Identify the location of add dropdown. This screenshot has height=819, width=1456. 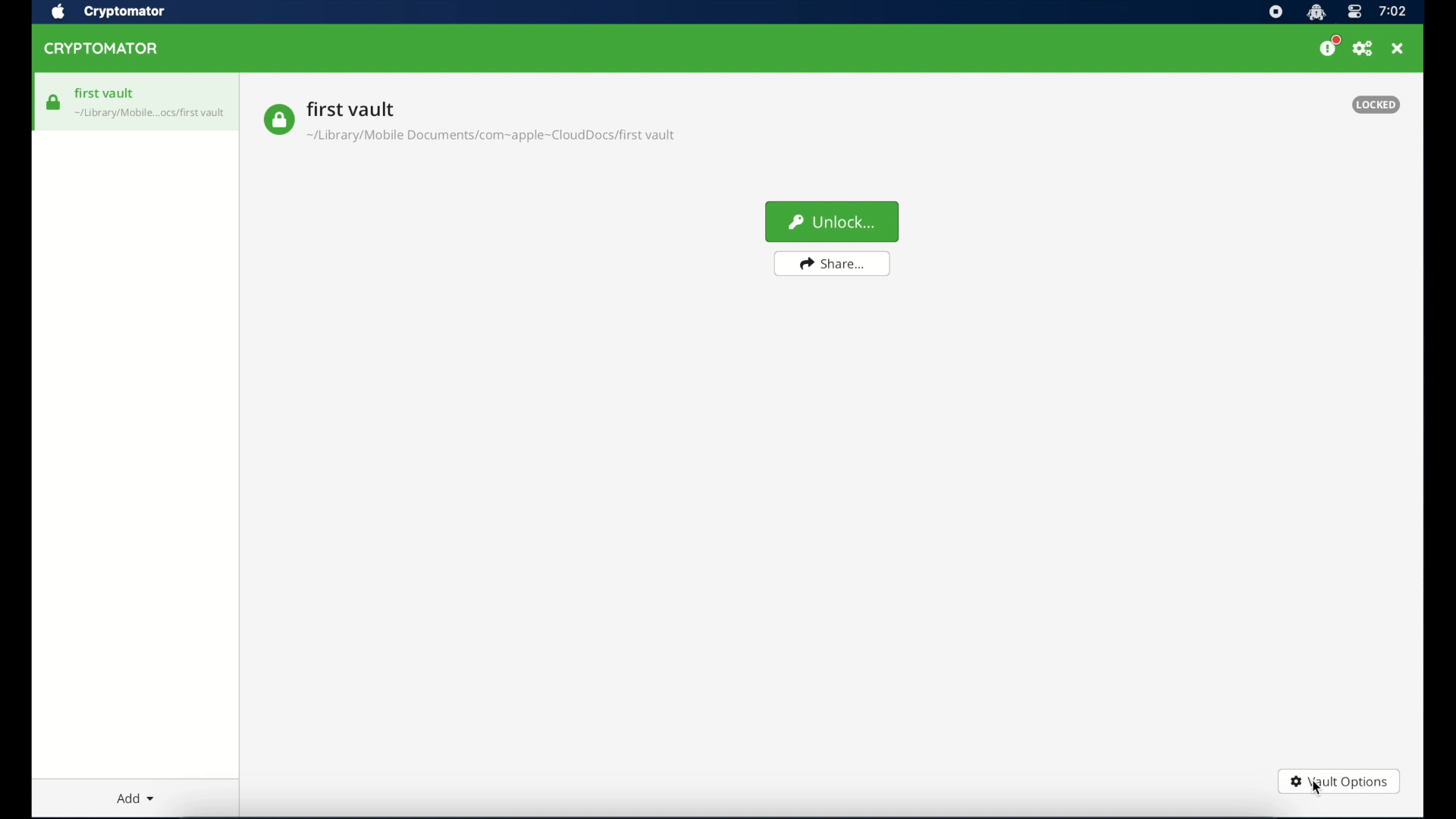
(136, 798).